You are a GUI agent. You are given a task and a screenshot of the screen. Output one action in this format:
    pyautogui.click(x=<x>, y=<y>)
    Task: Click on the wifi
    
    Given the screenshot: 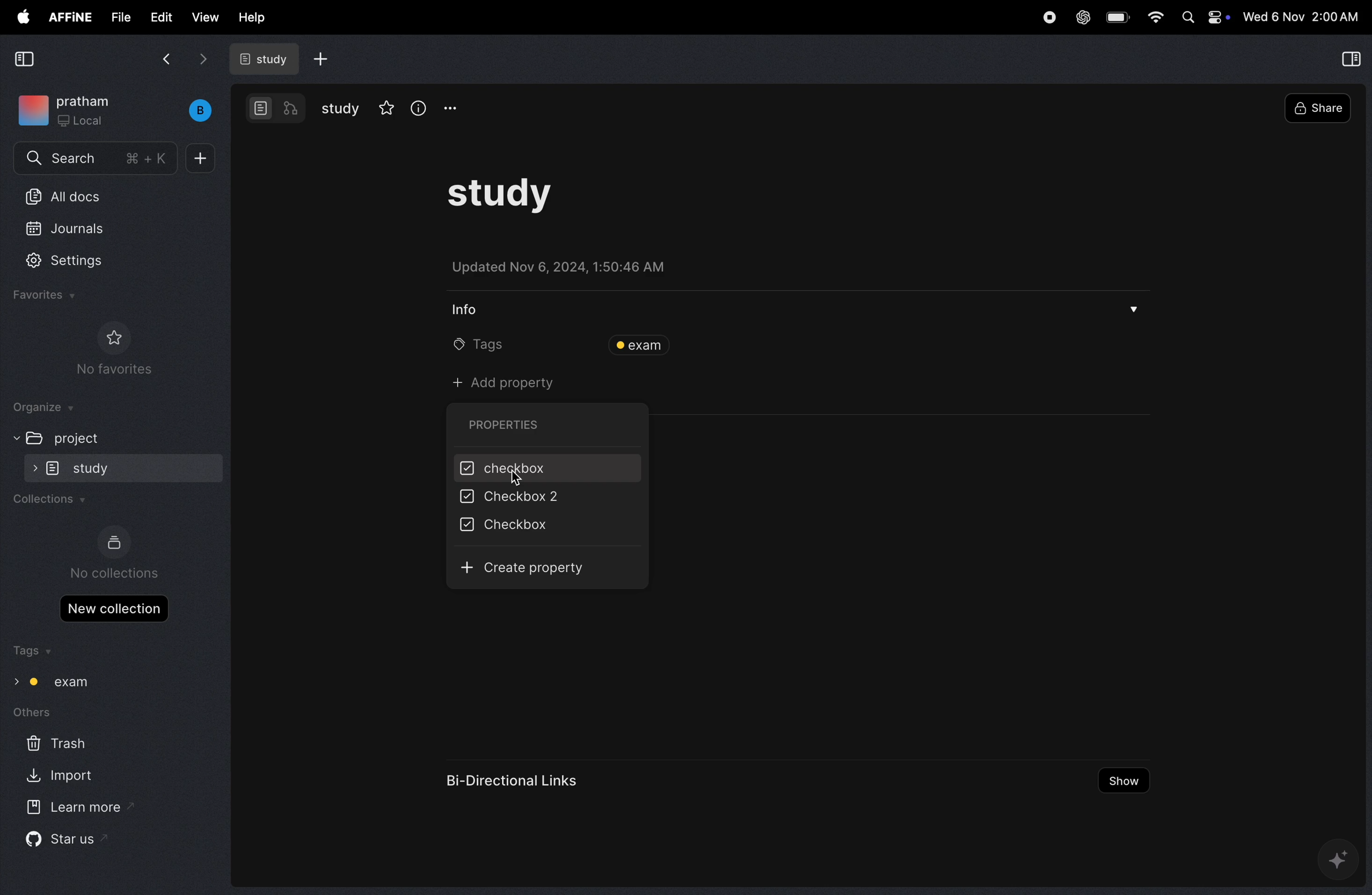 What is the action you would take?
    pyautogui.click(x=1155, y=18)
    